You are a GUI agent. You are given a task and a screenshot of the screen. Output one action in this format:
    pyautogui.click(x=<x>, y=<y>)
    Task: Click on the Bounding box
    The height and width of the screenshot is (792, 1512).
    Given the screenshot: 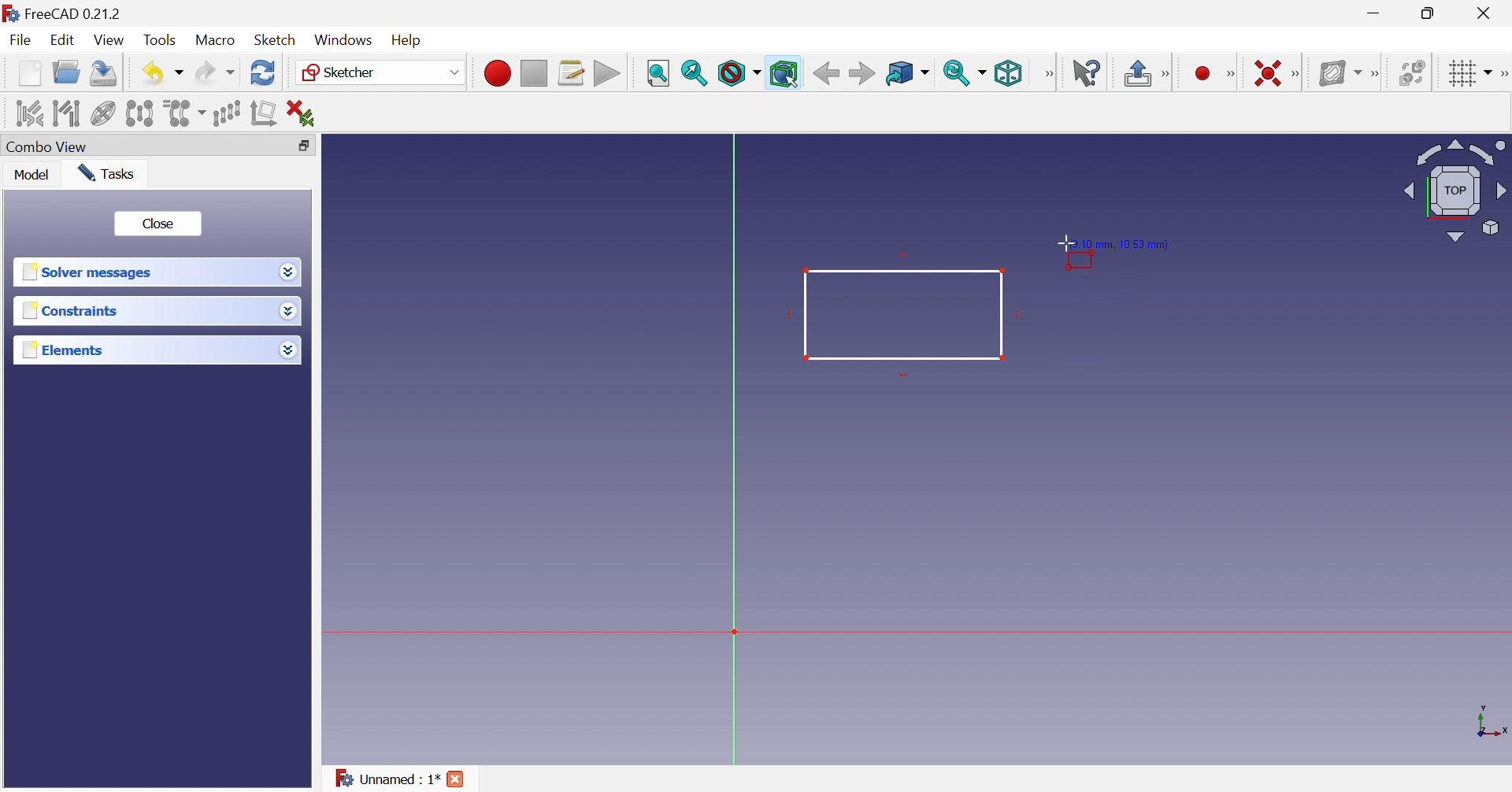 What is the action you would take?
    pyautogui.click(x=784, y=74)
    